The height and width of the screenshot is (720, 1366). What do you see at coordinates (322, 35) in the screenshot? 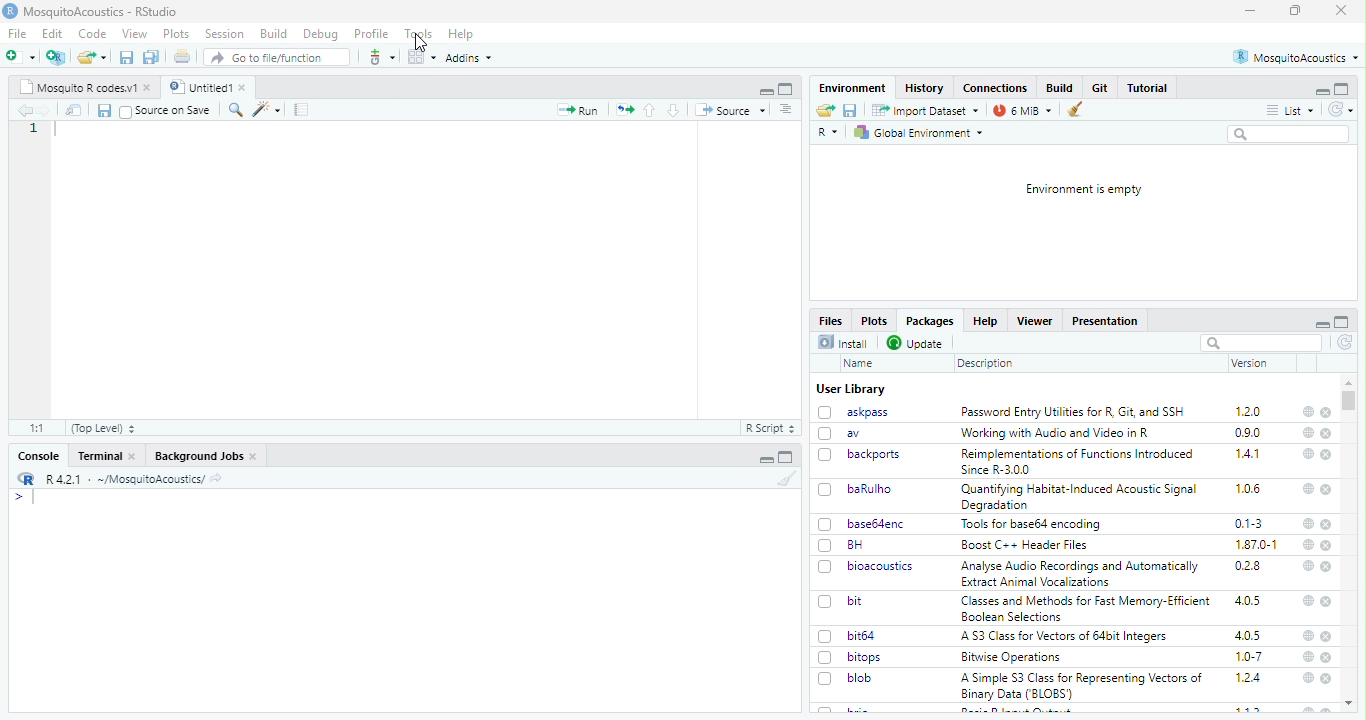
I see `Debug` at bounding box center [322, 35].